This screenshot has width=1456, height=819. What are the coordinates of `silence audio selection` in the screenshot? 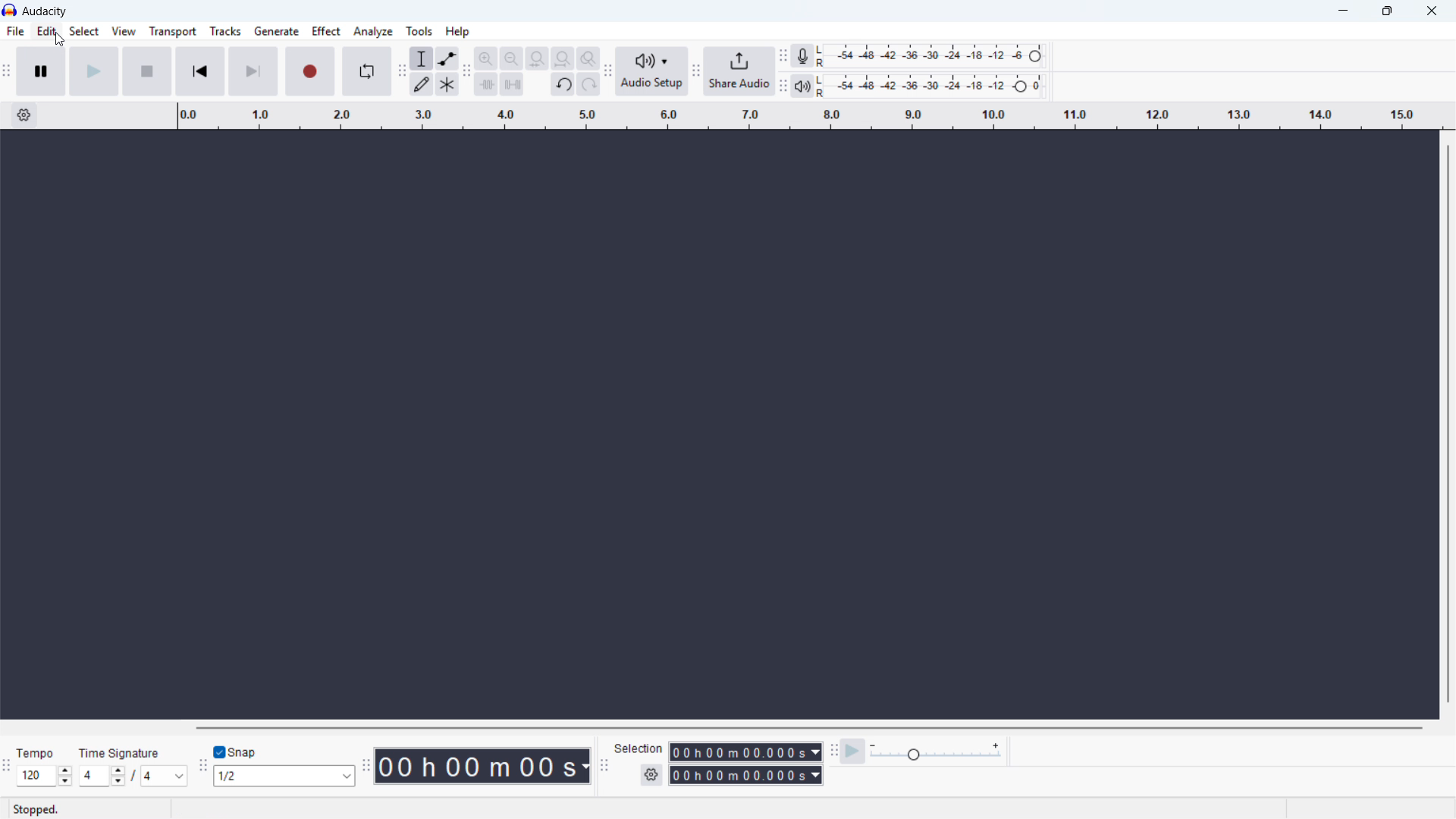 It's located at (512, 84).